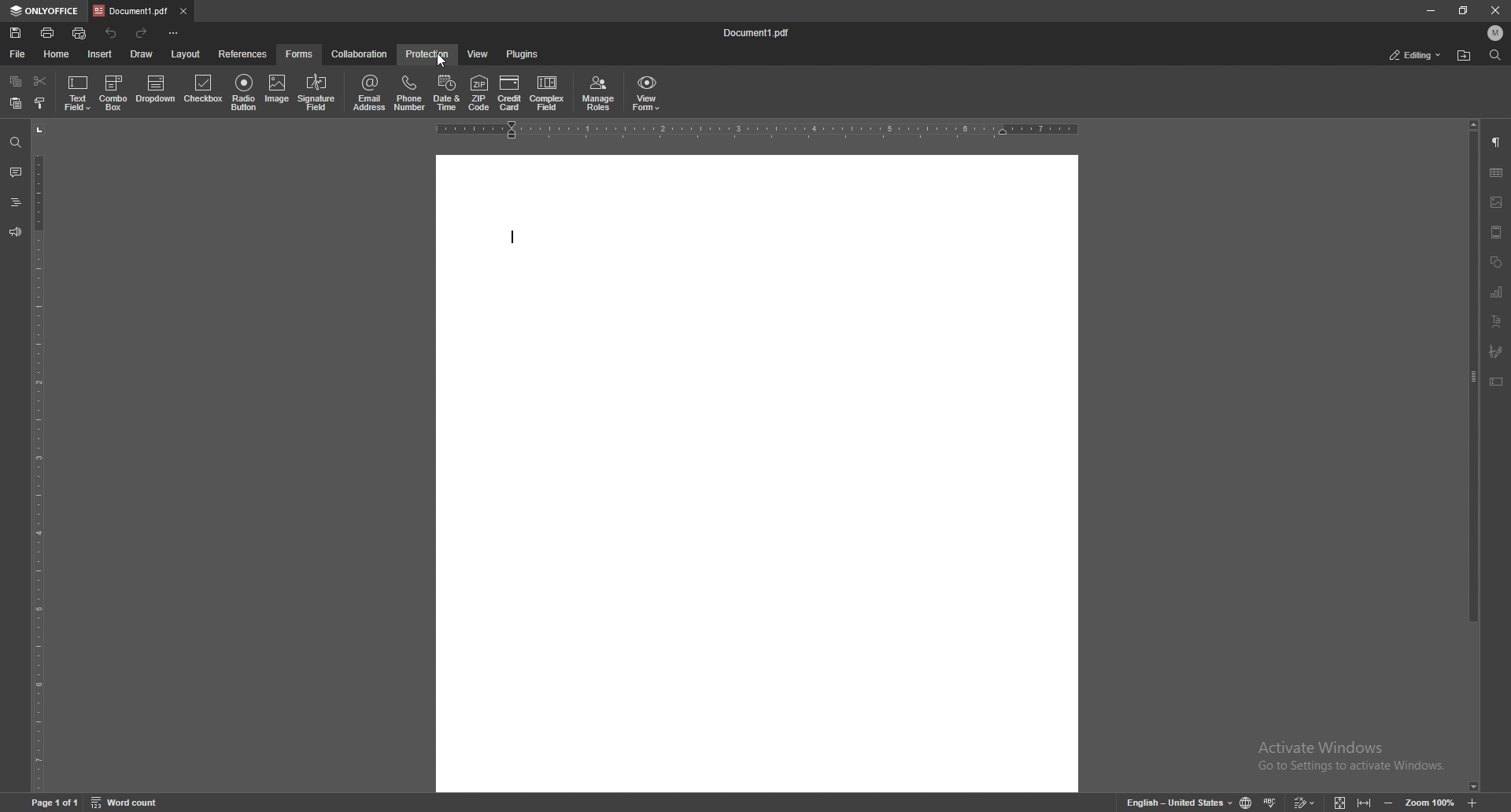 The image size is (1511, 812). What do you see at coordinates (144, 34) in the screenshot?
I see `redo` at bounding box center [144, 34].